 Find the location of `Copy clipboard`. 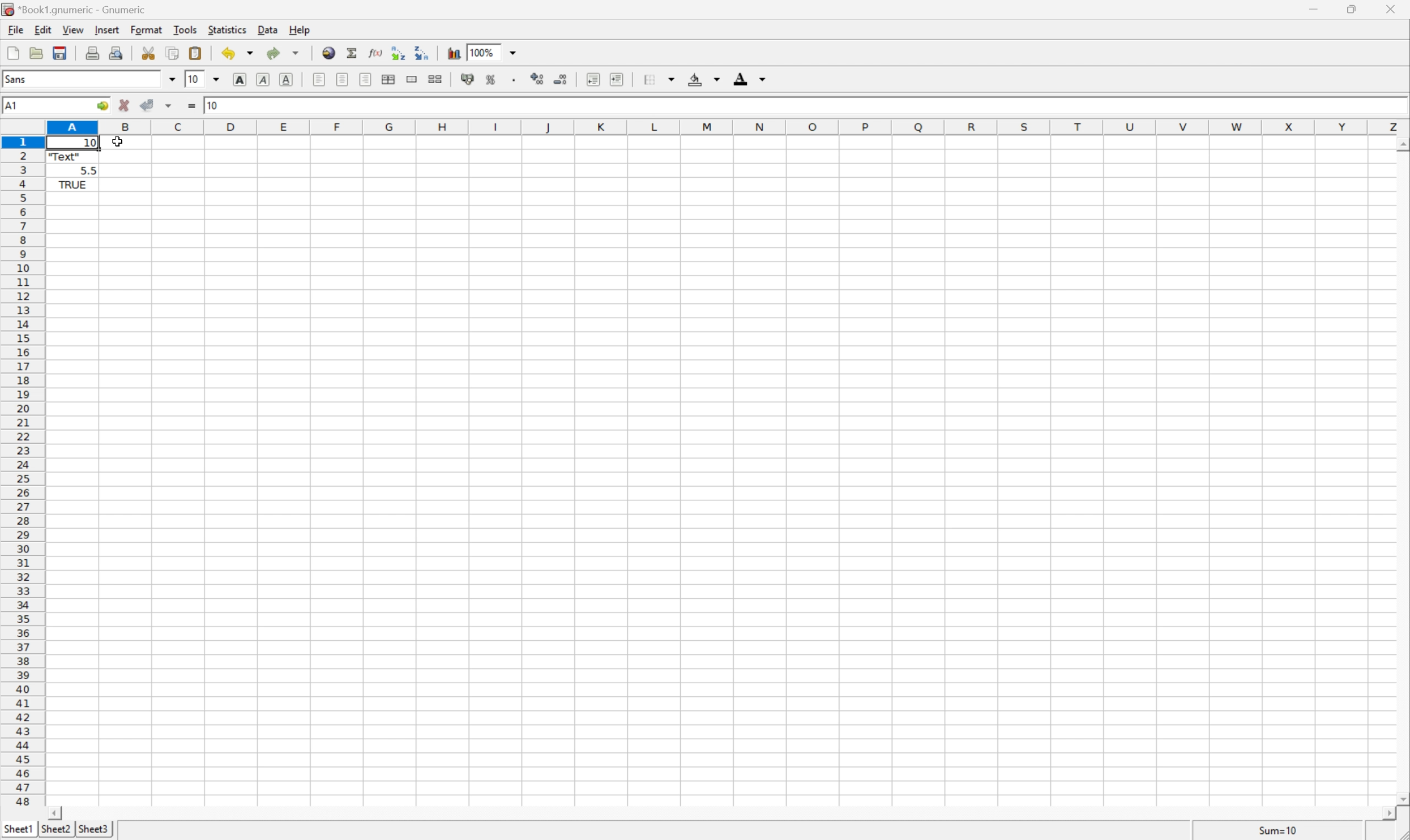

Copy clipboard is located at coordinates (173, 53).